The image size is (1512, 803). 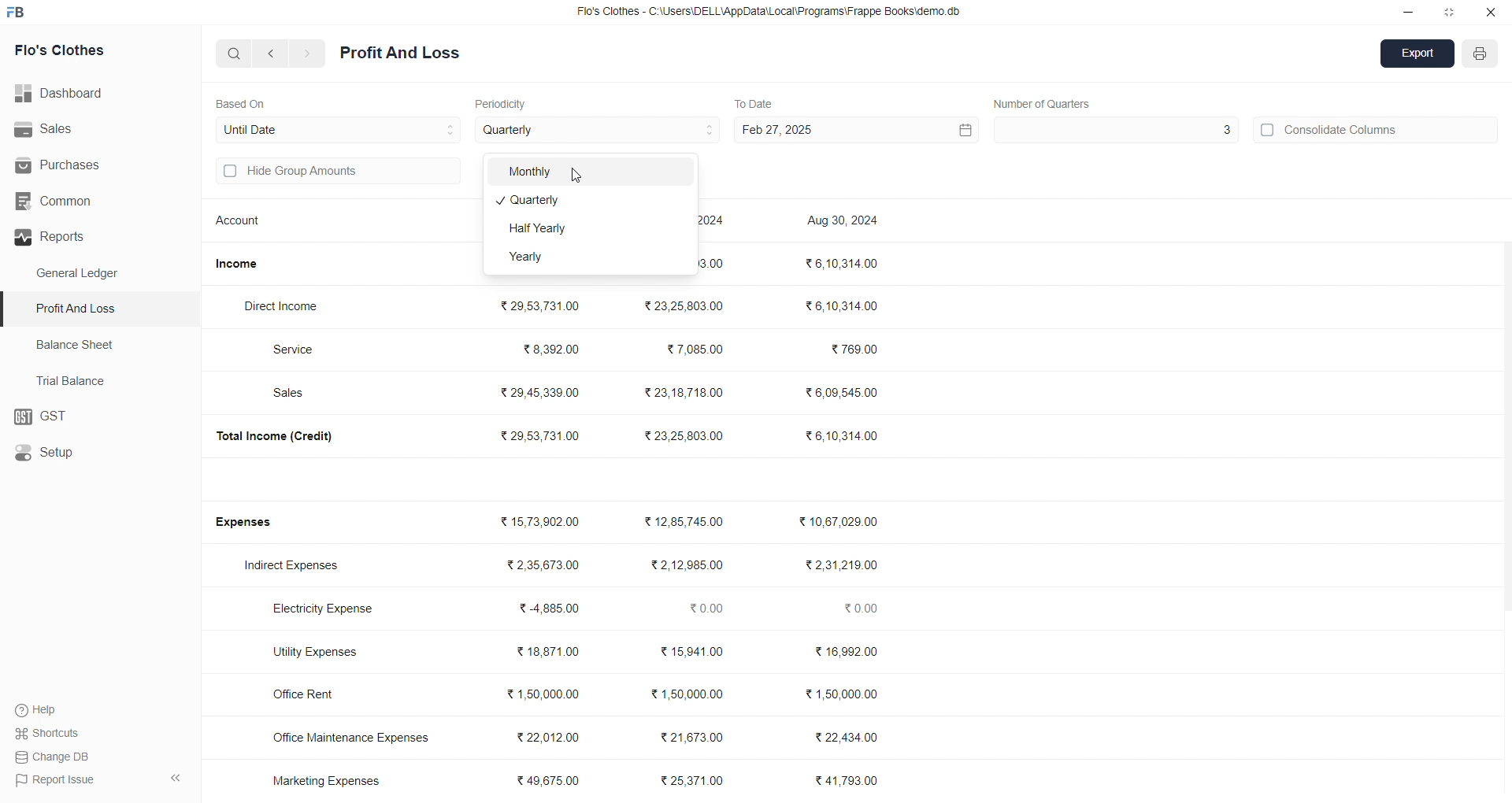 I want to click on Total Income (Credit), so click(x=287, y=435).